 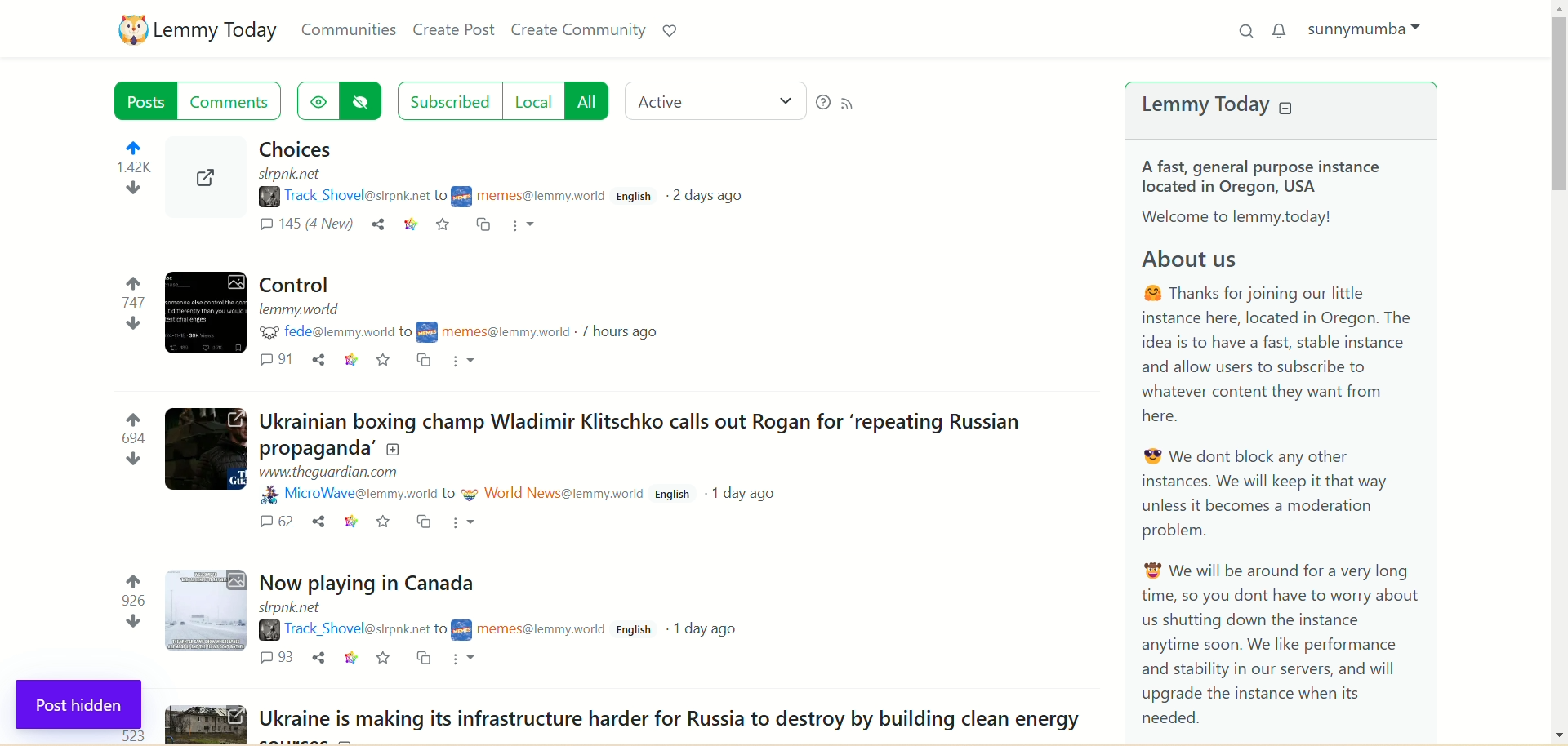 I want to click on link, so click(x=351, y=657).